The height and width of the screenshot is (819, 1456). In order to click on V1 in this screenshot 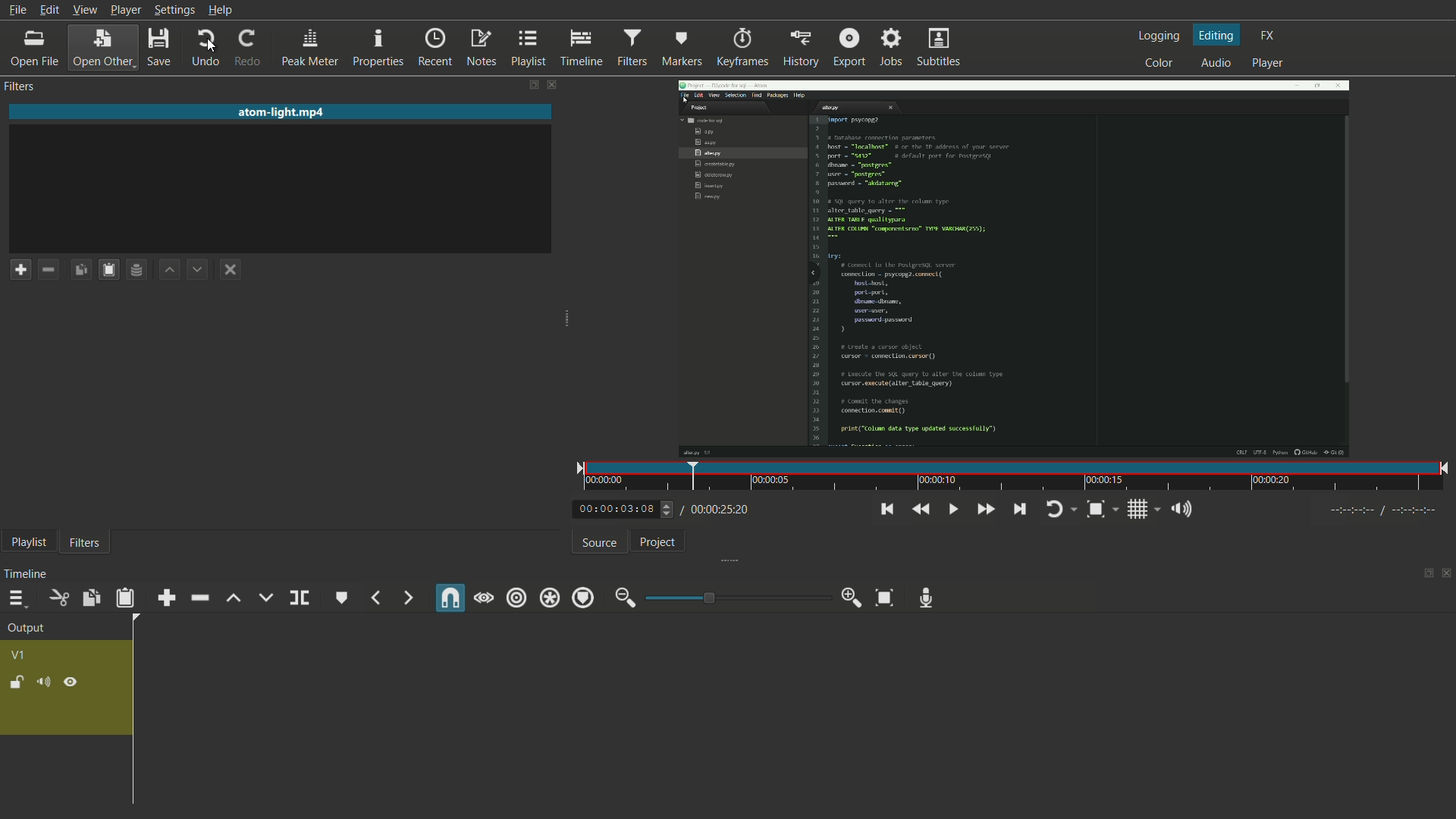, I will do `click(20, 655)`.